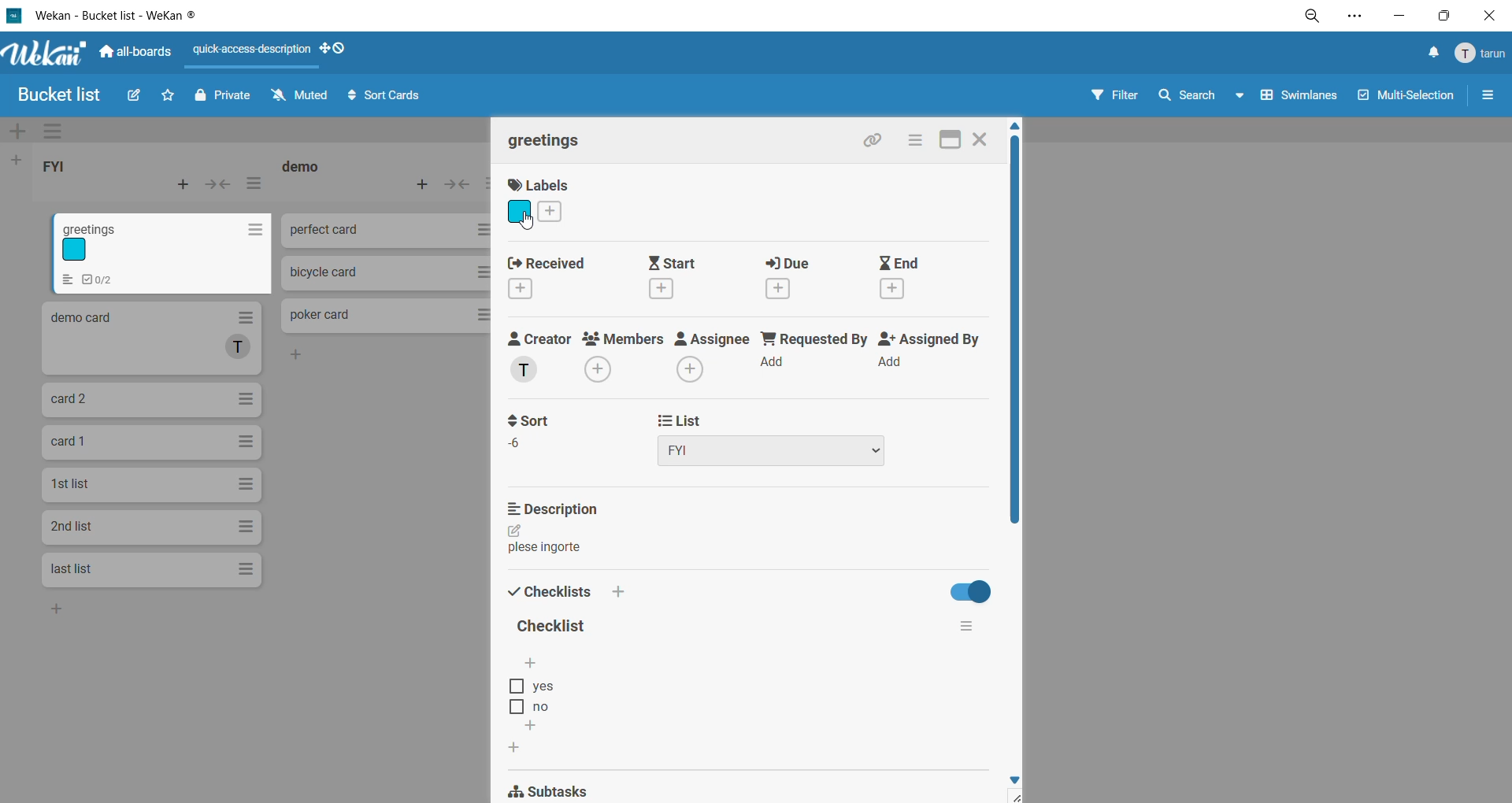  Describe the element at coordinates (1357, 19) in the screenshot. I see `settings` at that location.